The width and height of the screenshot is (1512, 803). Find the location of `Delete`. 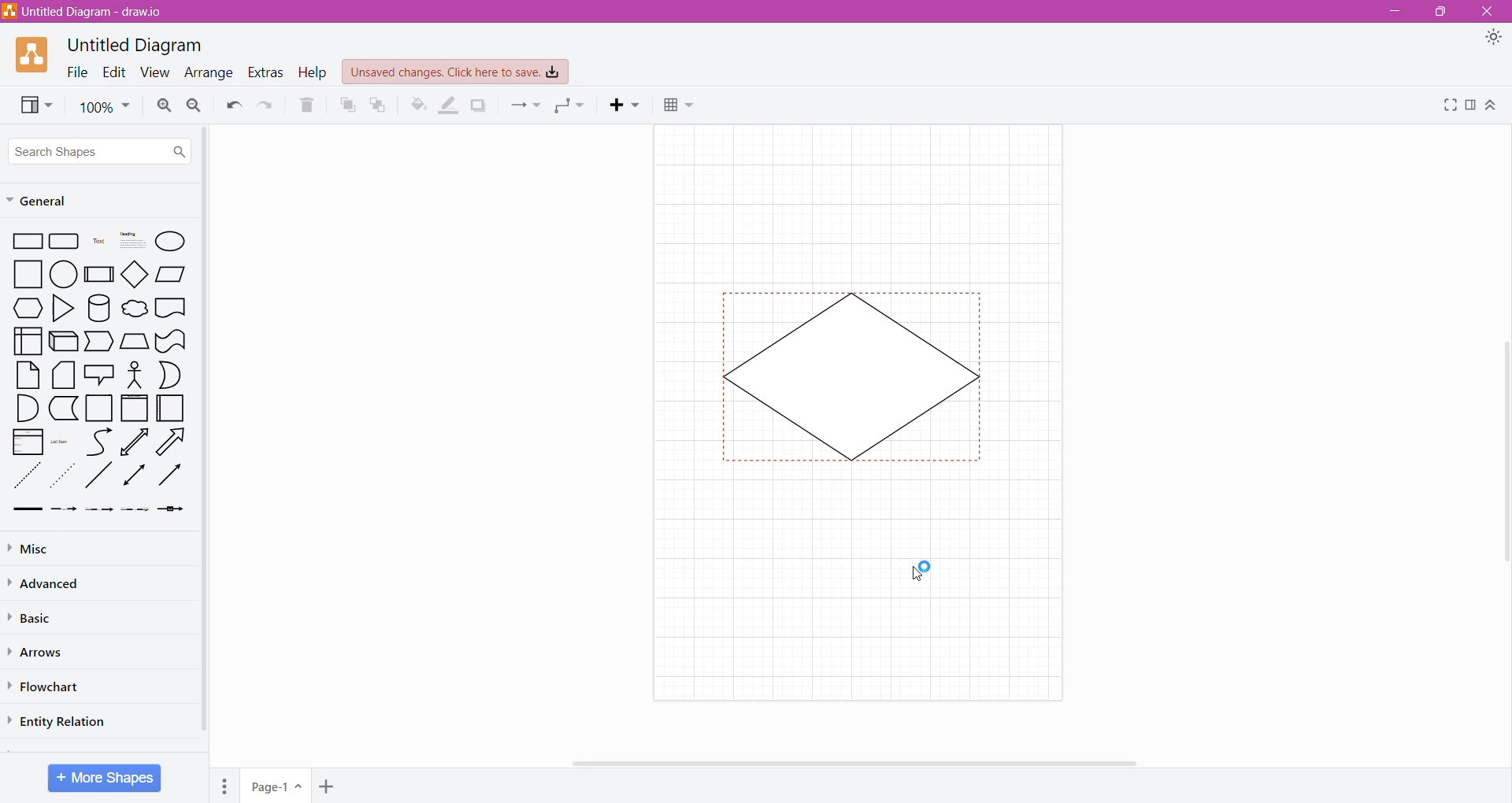

Delete is located at coordinates (307, 105).